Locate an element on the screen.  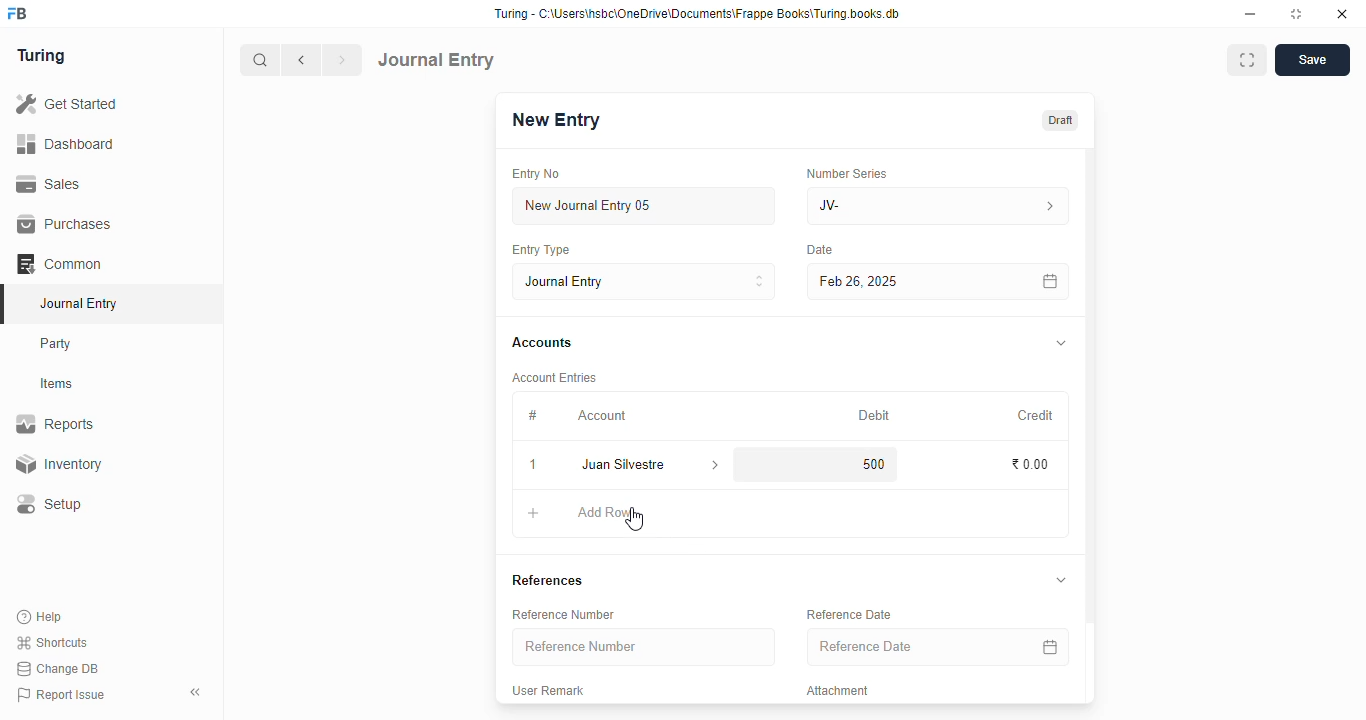
reference date is located at coordinates (848, 615).